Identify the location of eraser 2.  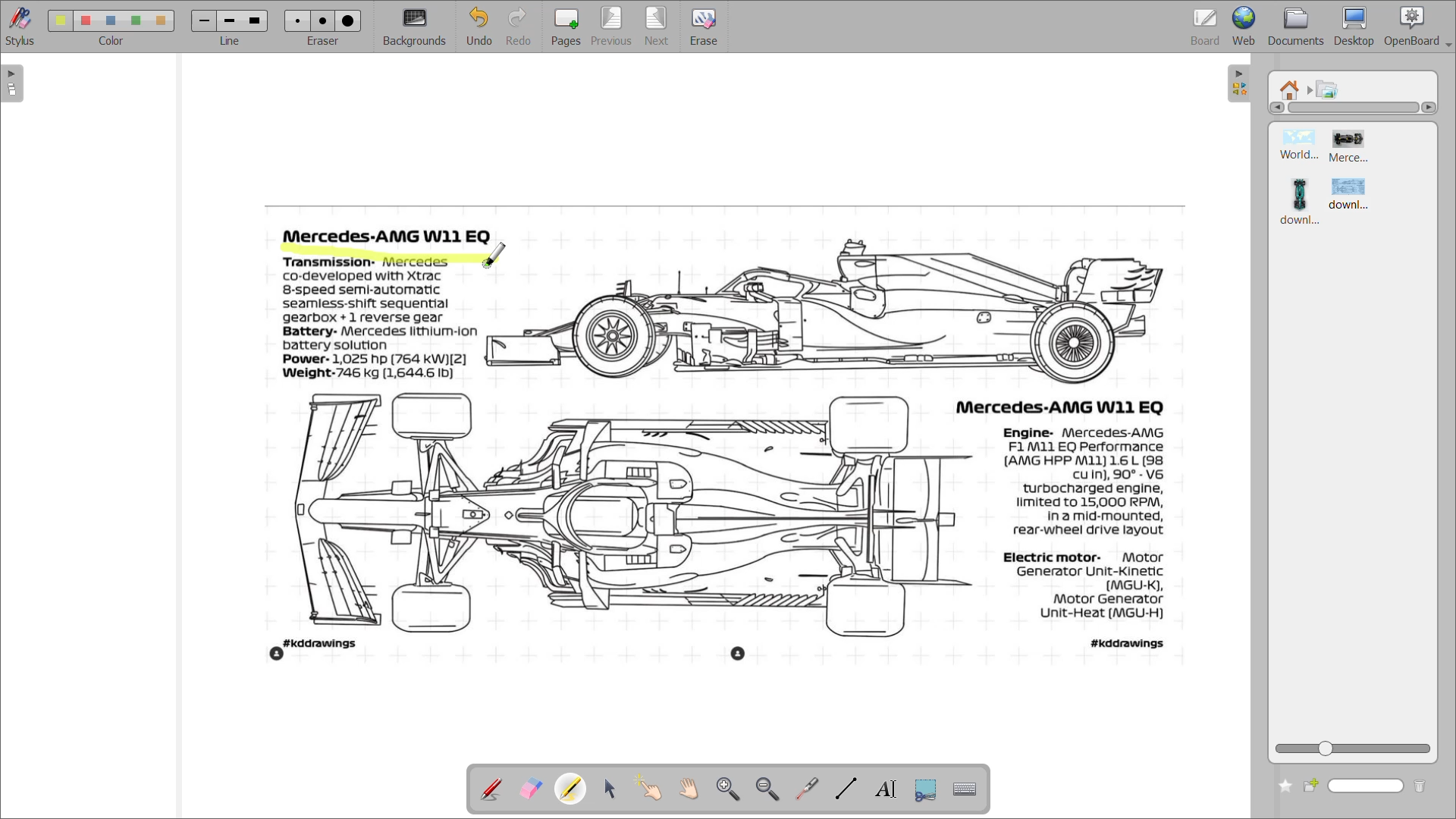
(324, 20).